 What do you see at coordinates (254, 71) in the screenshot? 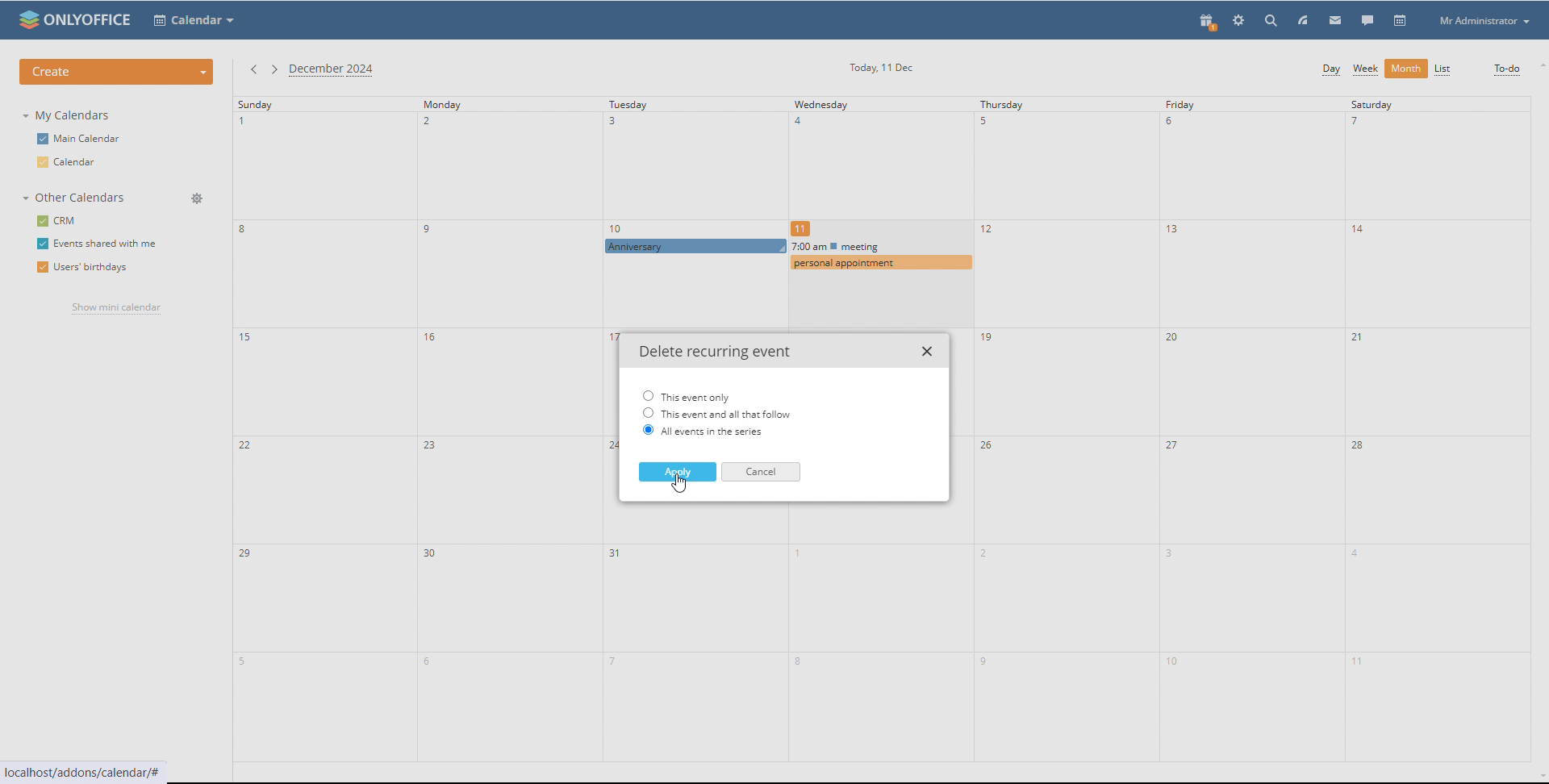
I see `previous month` at bounding box center [254, 71].